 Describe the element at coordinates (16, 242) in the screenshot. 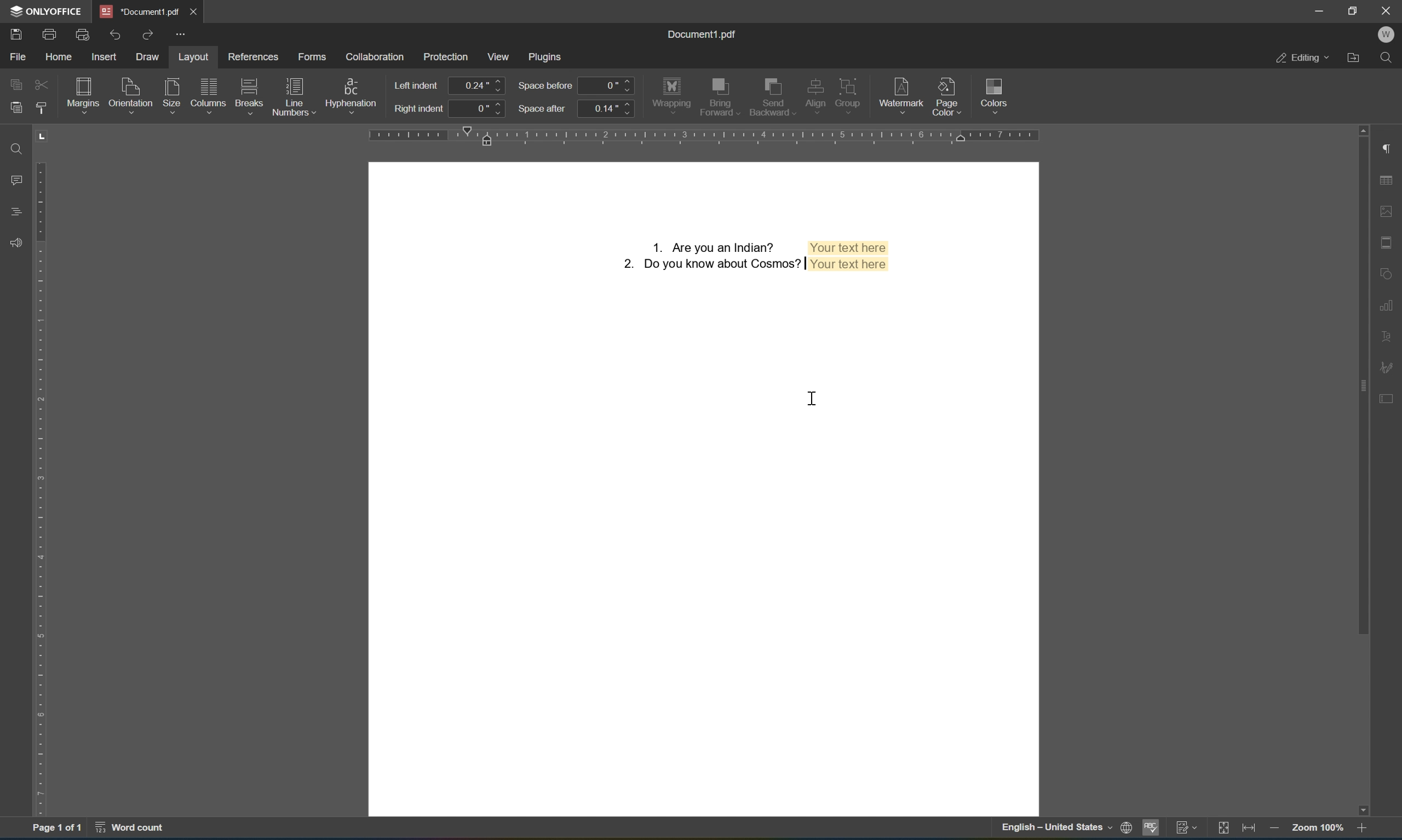

I see `Feedback & support` at that location.